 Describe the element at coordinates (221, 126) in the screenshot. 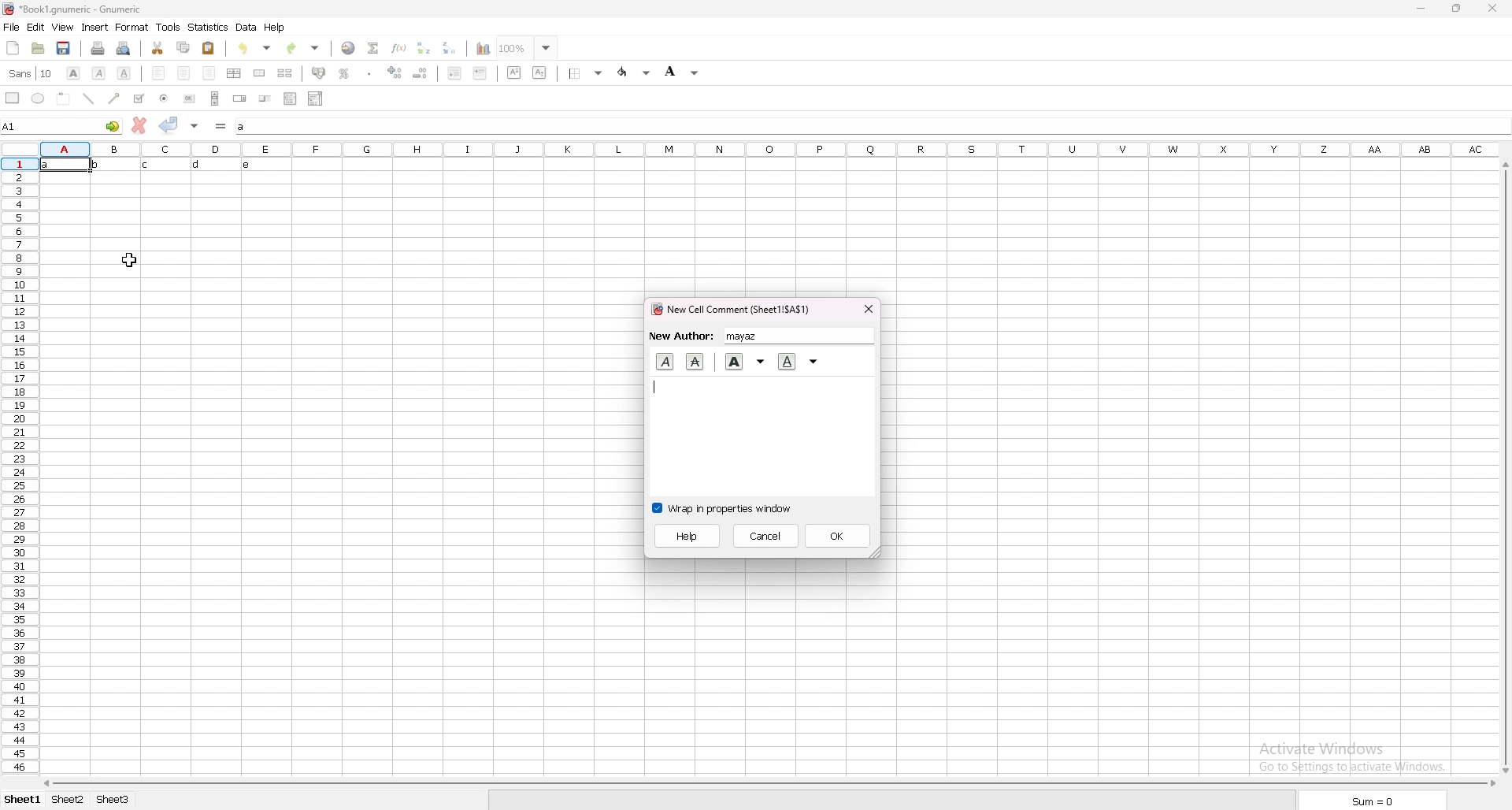

I see `formula` at that location.